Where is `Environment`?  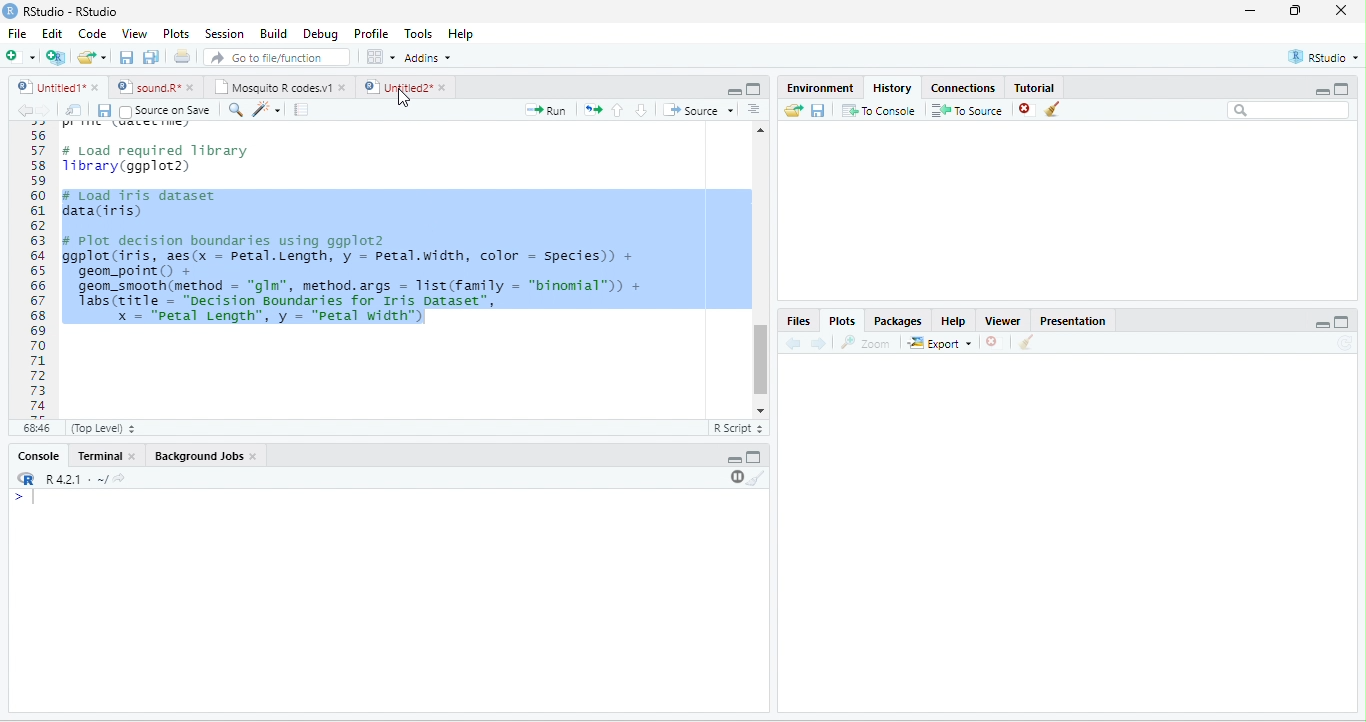
Environment is located at coordinates (821, 87).